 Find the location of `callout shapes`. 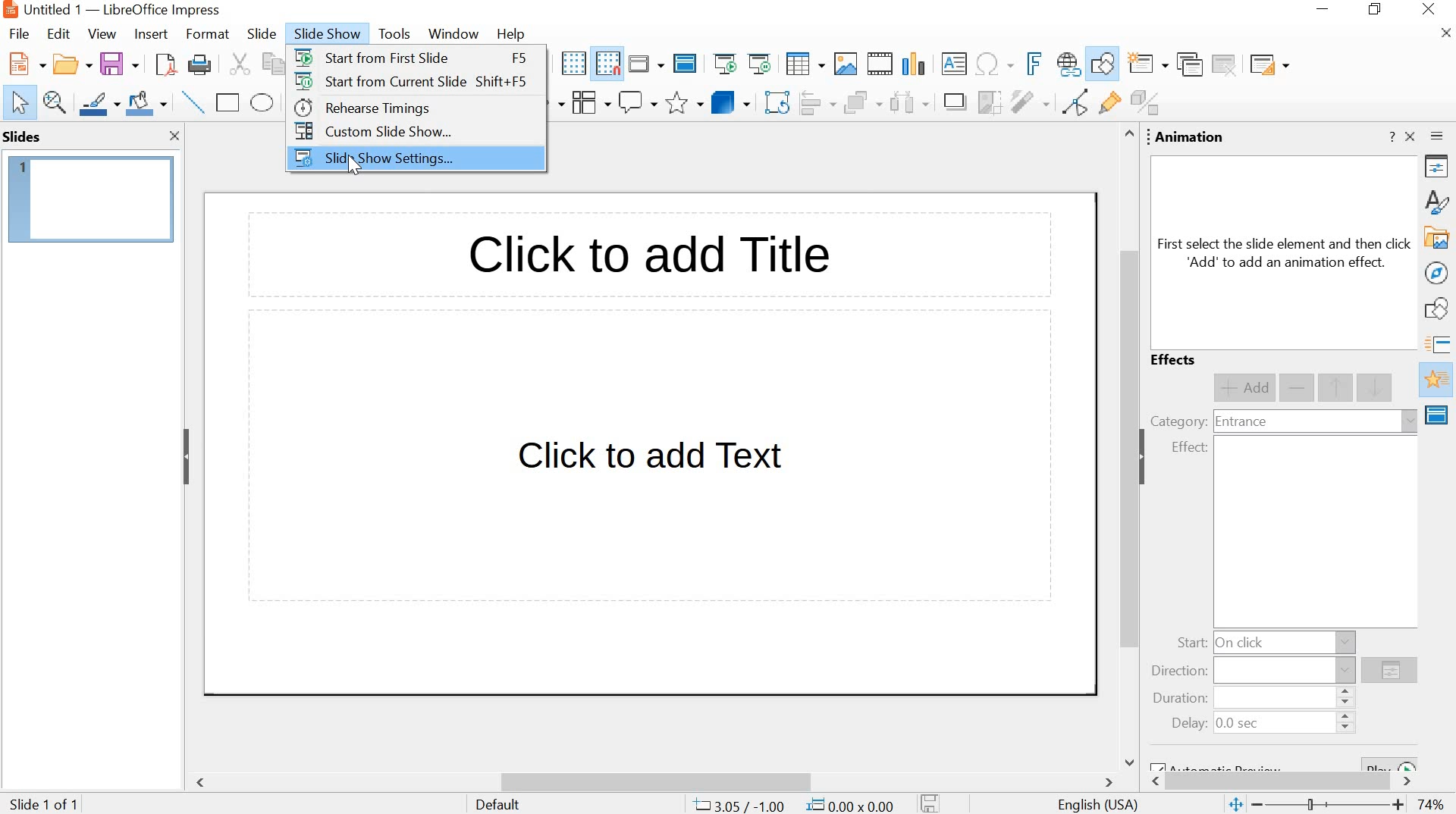

callout shapes is located at coordinates (638, 103).